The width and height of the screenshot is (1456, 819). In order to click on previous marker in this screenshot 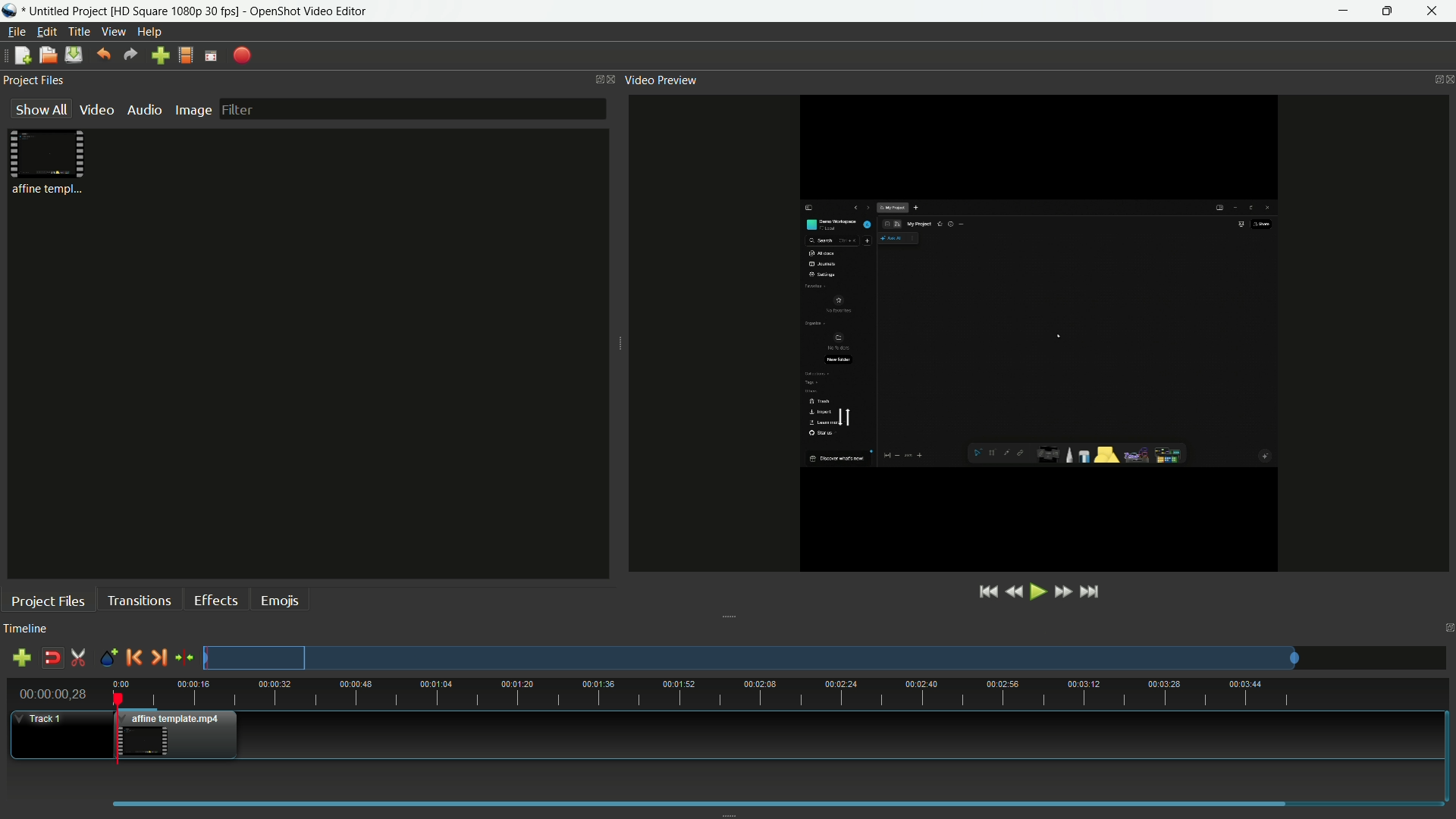, I will do `click(133, 657)`.